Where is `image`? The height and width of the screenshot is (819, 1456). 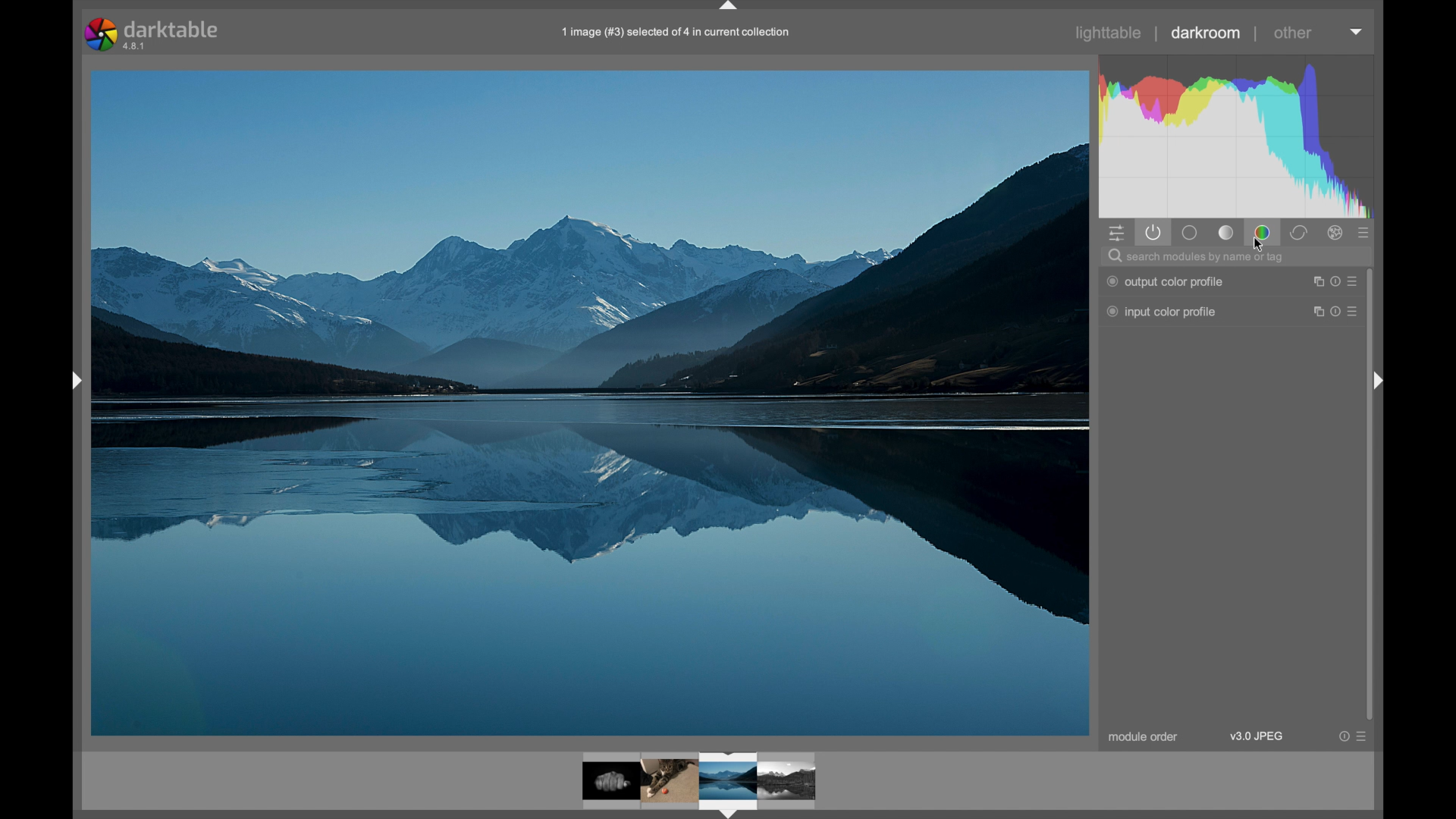
image is located at coordinates (667, 780).